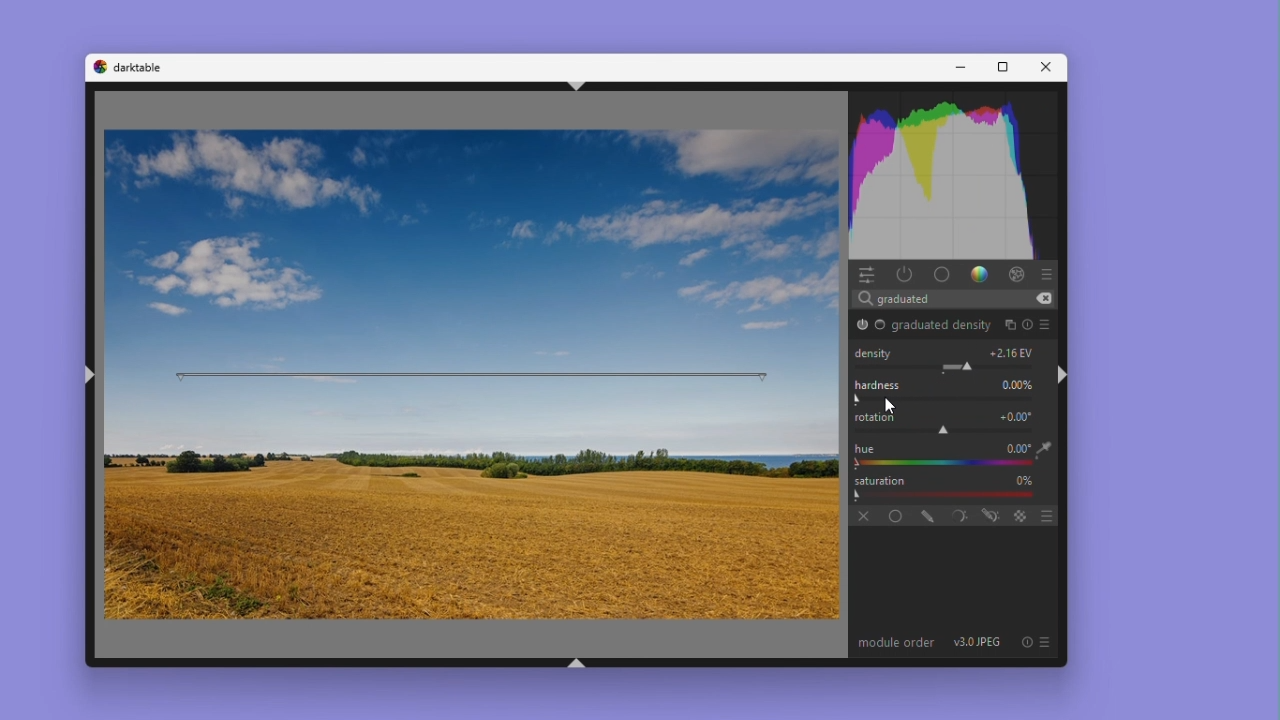 This screenshot has width=1280, height=720. What do you see at coordinates (949, 367) in the screenshot?
I see `Module Parameter Adjustment Slider` at bounding box center [949, 367].